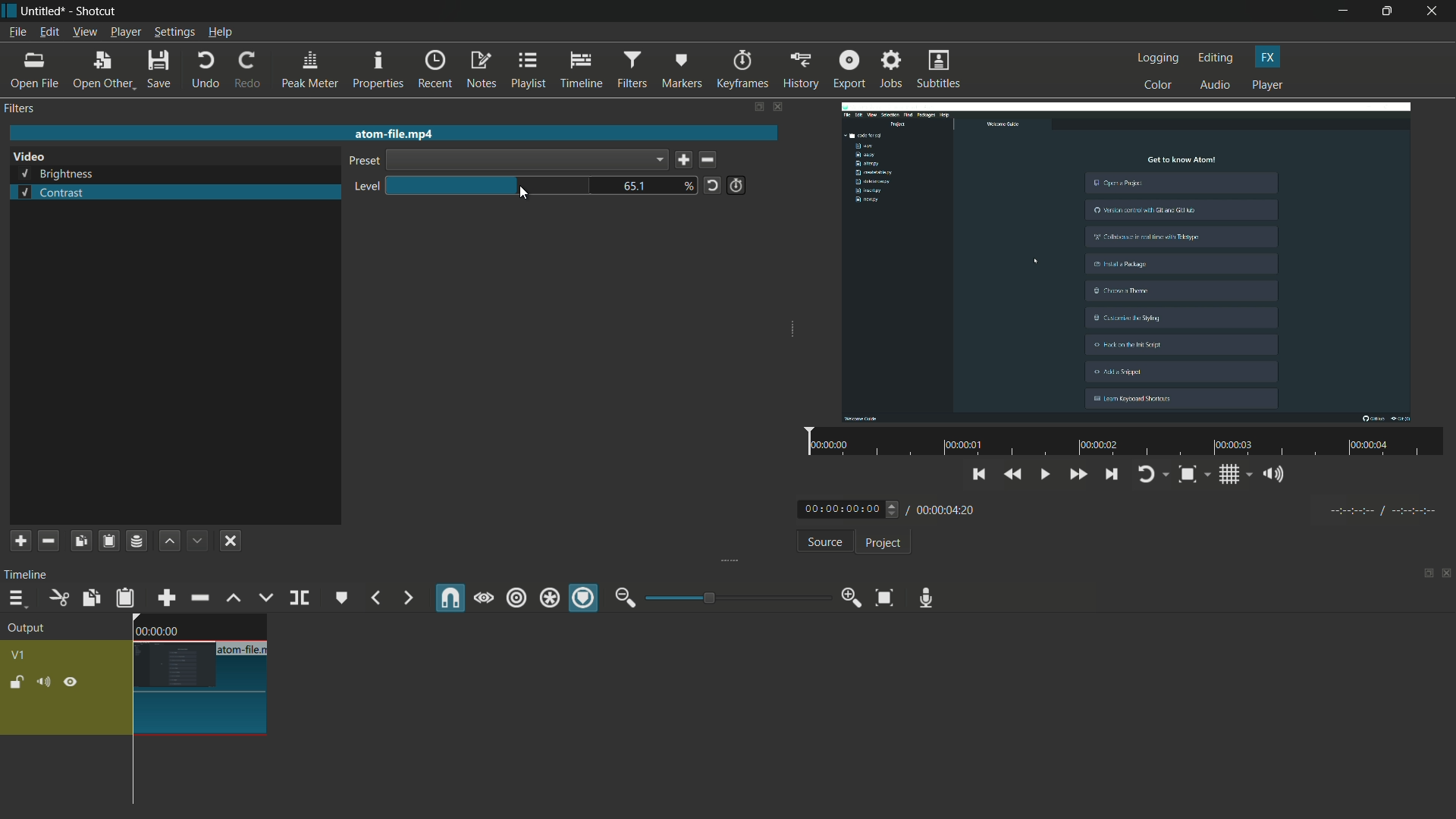 The image size is (1456, 819). I want to click on copy filters, so click(80, 541).